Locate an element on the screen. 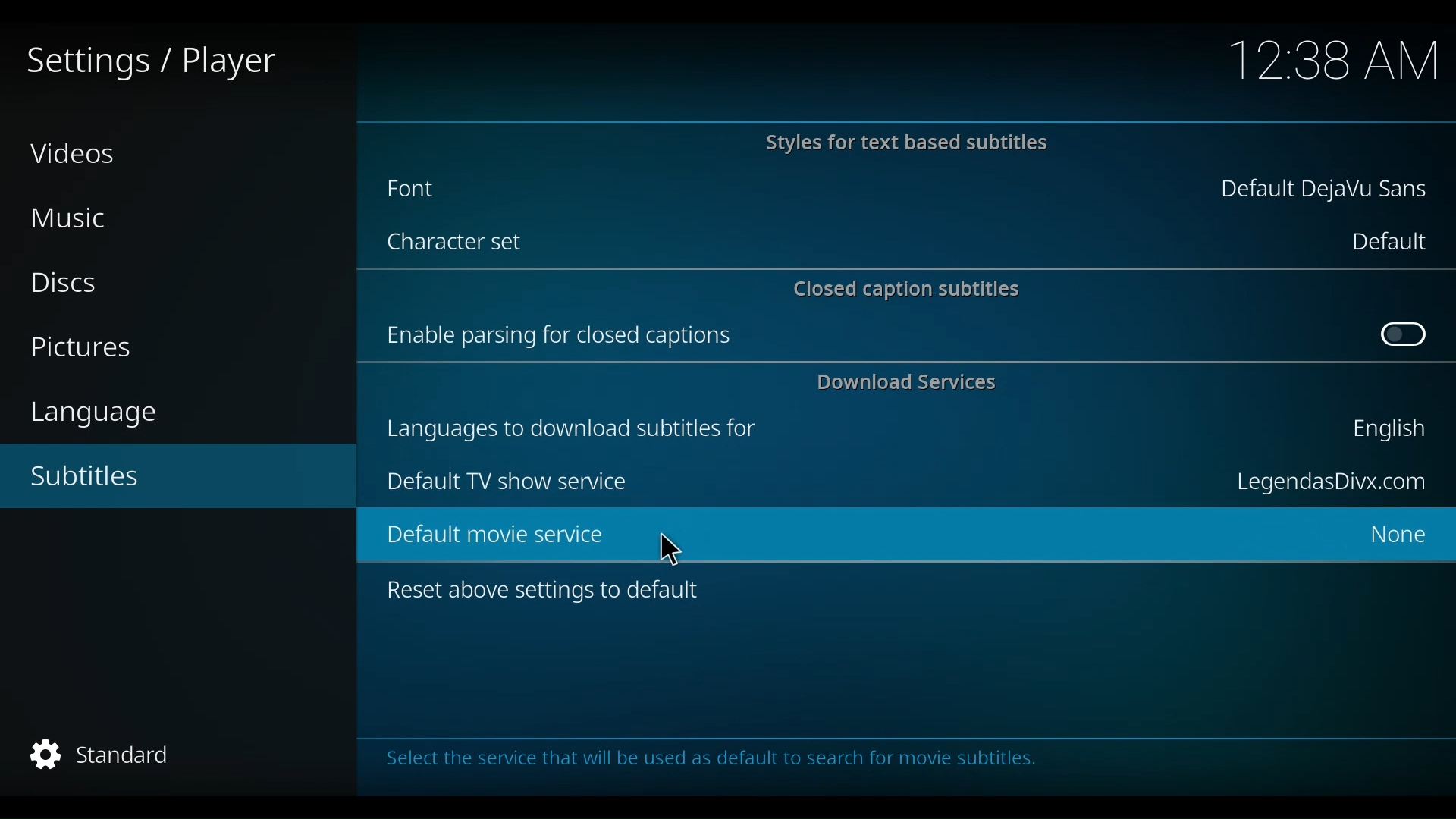 This screenshot has width=1456, height=819. Font is located at coordinates (430, 188).